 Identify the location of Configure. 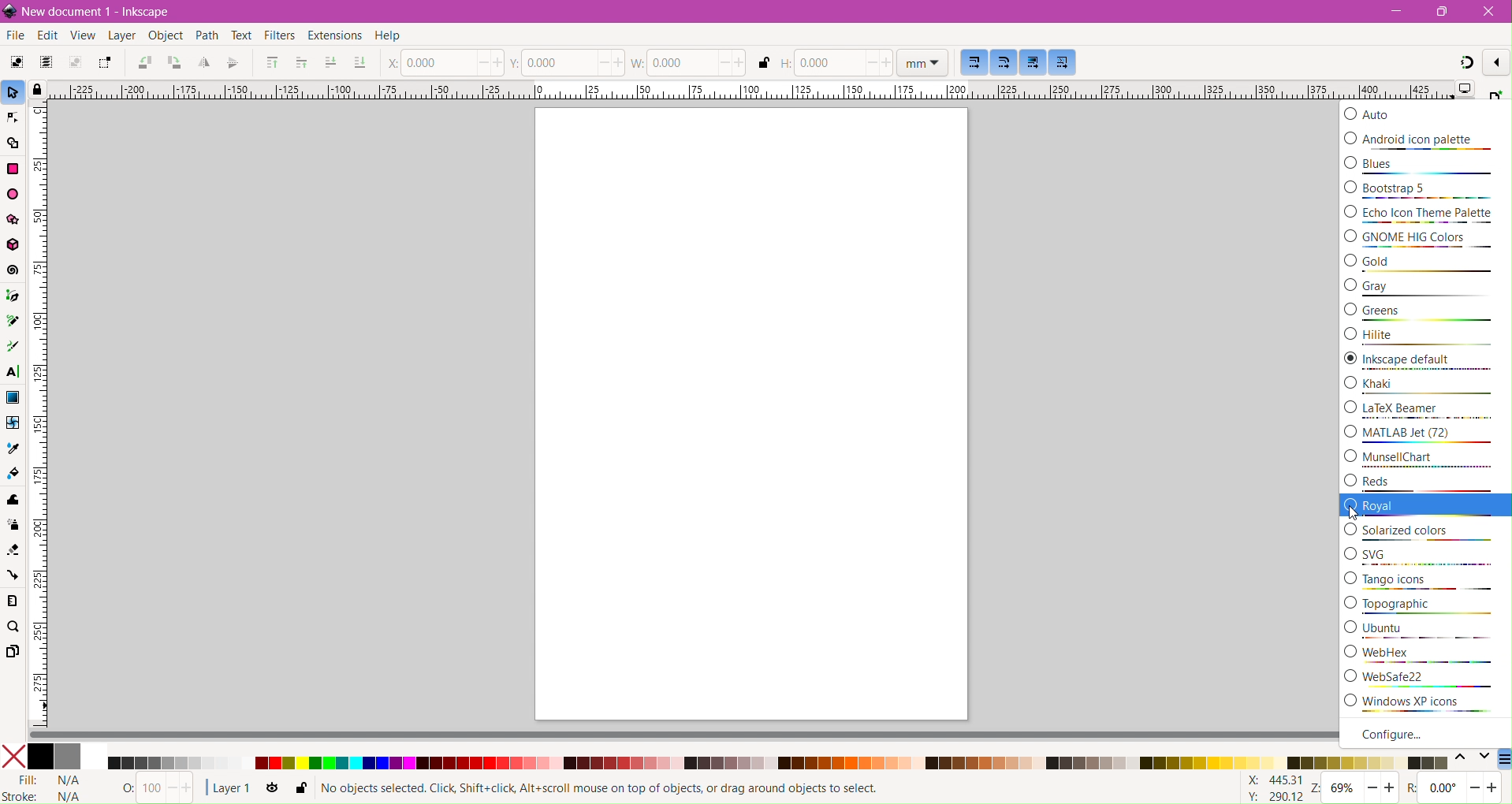
(1414, 733).